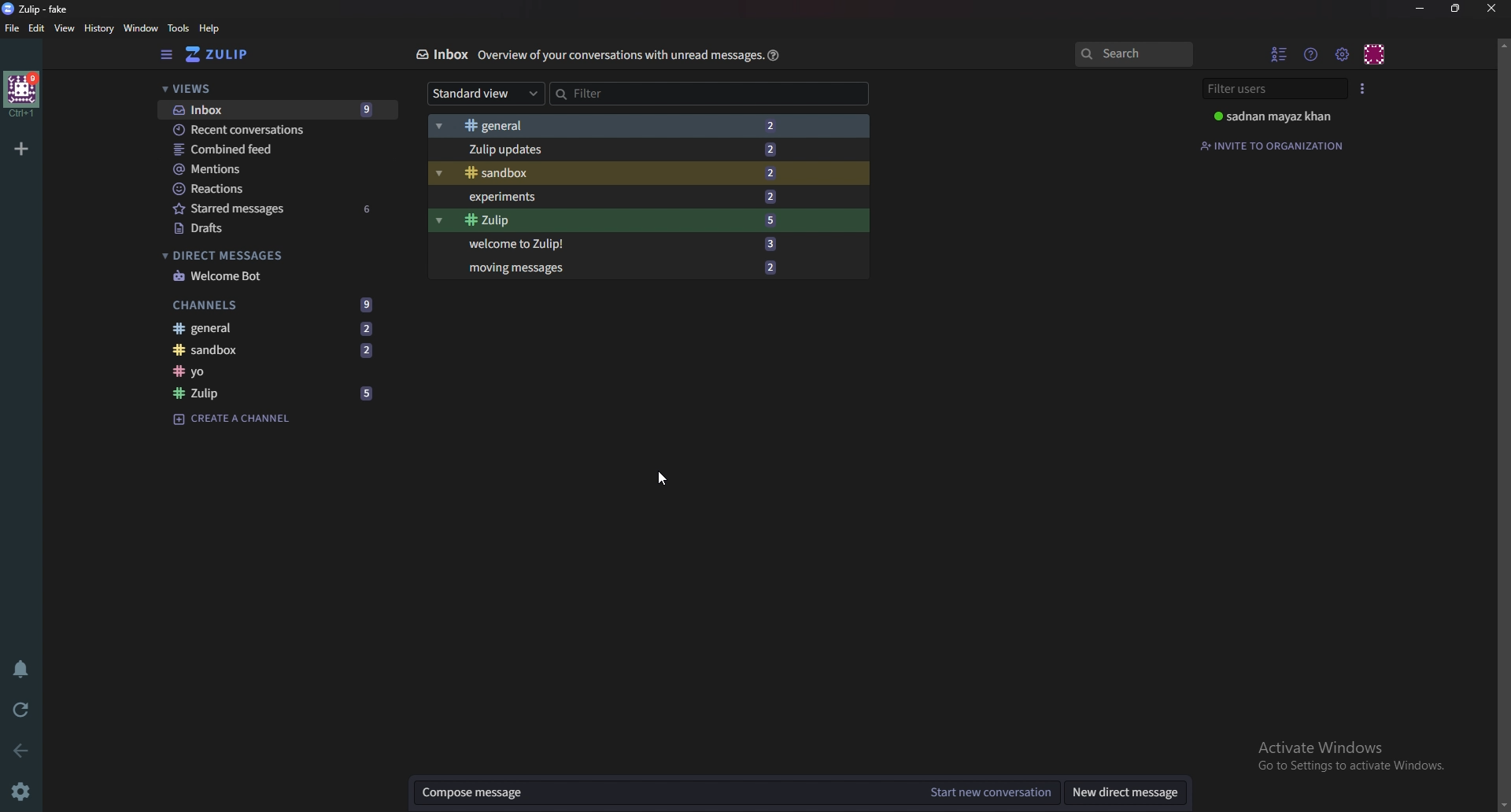  Describe the element at coordinates (617, 267) in the screenshot. I see `Moving messages` at that location.